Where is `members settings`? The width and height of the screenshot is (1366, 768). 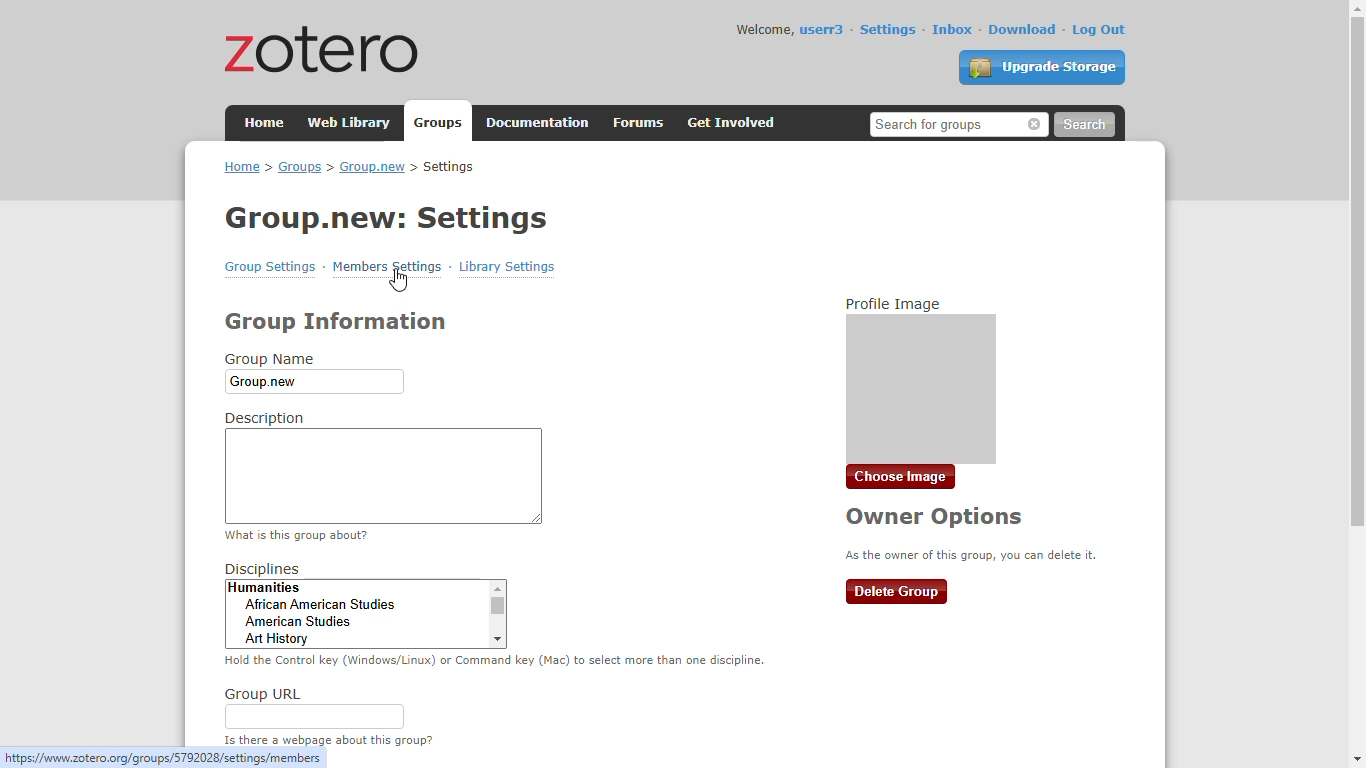 members settings is located at coordinates (386, 266).